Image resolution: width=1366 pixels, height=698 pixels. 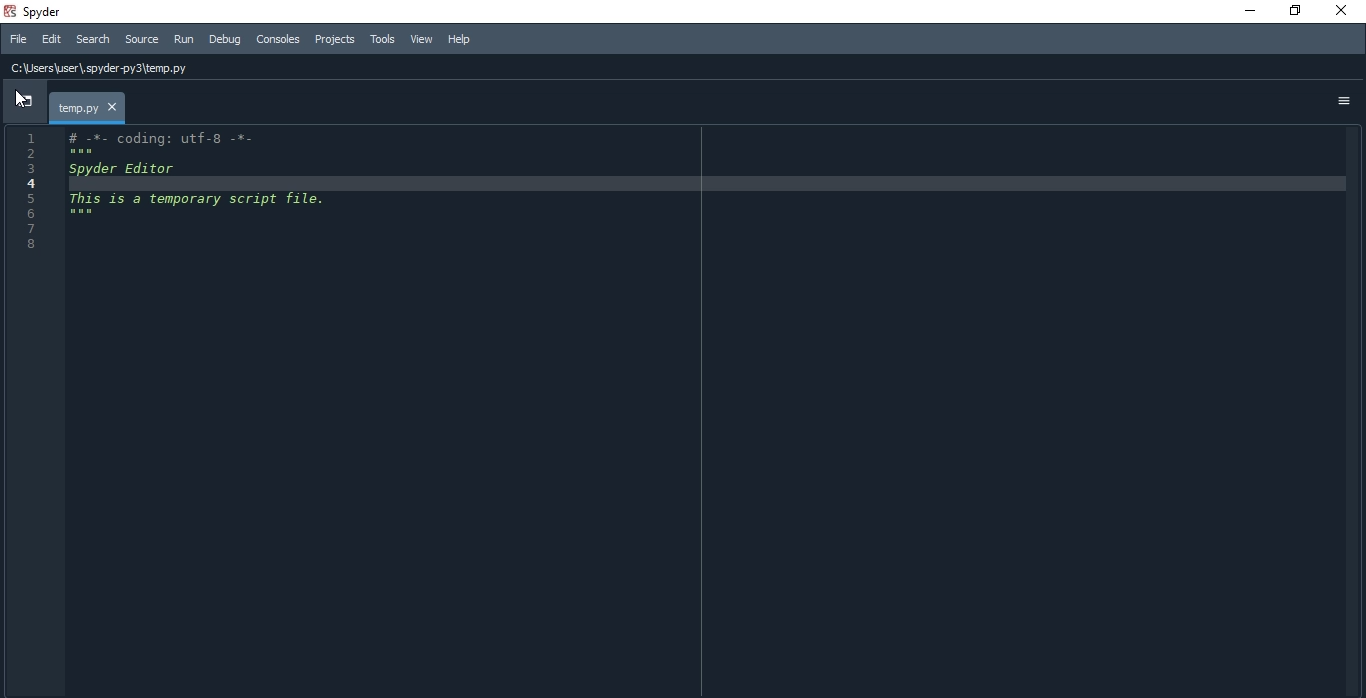 What do you see at coordinates (1340, 102) in the screenshot?
I see `options` at bounding box center [1340, 102].